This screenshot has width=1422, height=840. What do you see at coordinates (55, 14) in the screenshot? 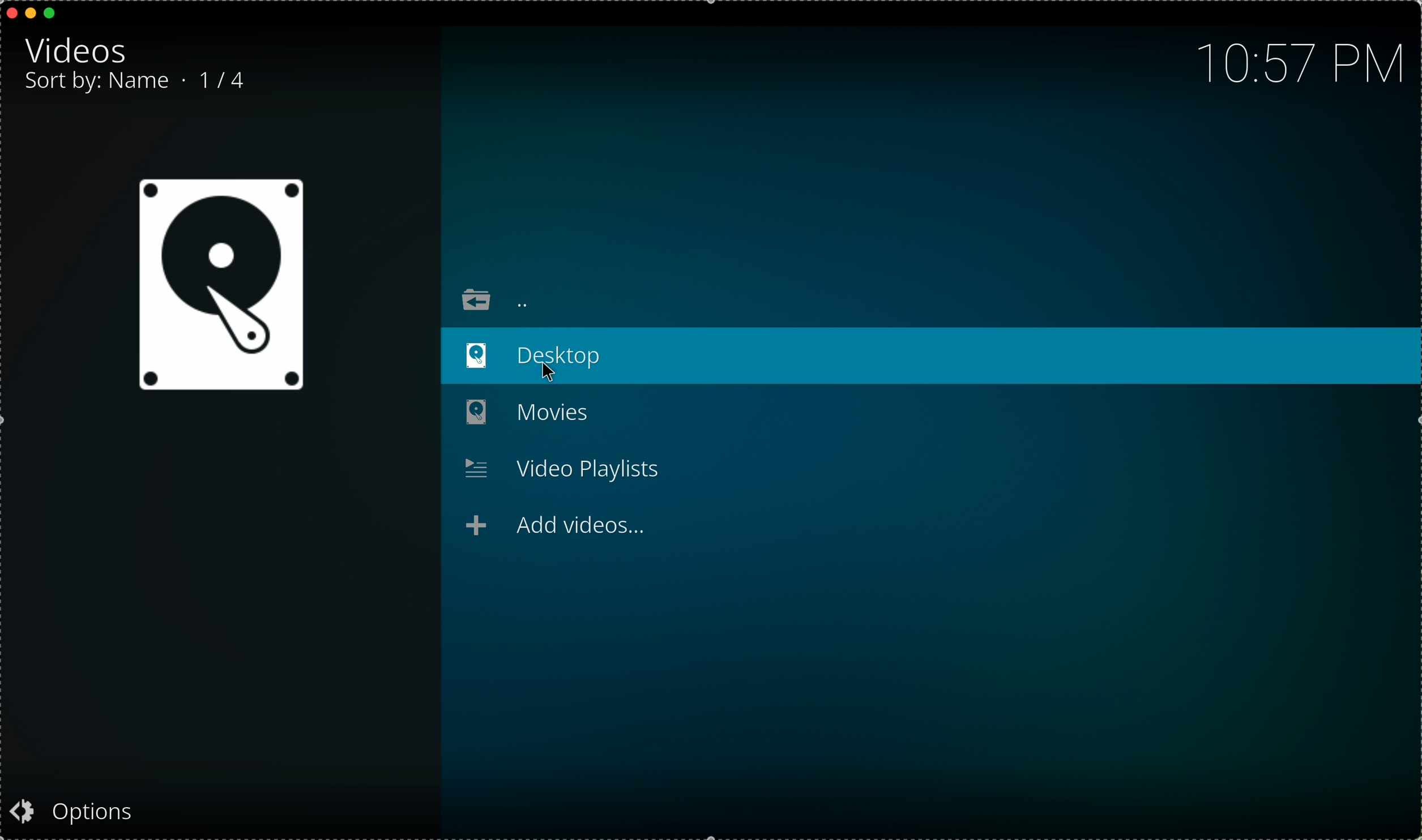
I see `maximize ` at bounding box center [55, 14].